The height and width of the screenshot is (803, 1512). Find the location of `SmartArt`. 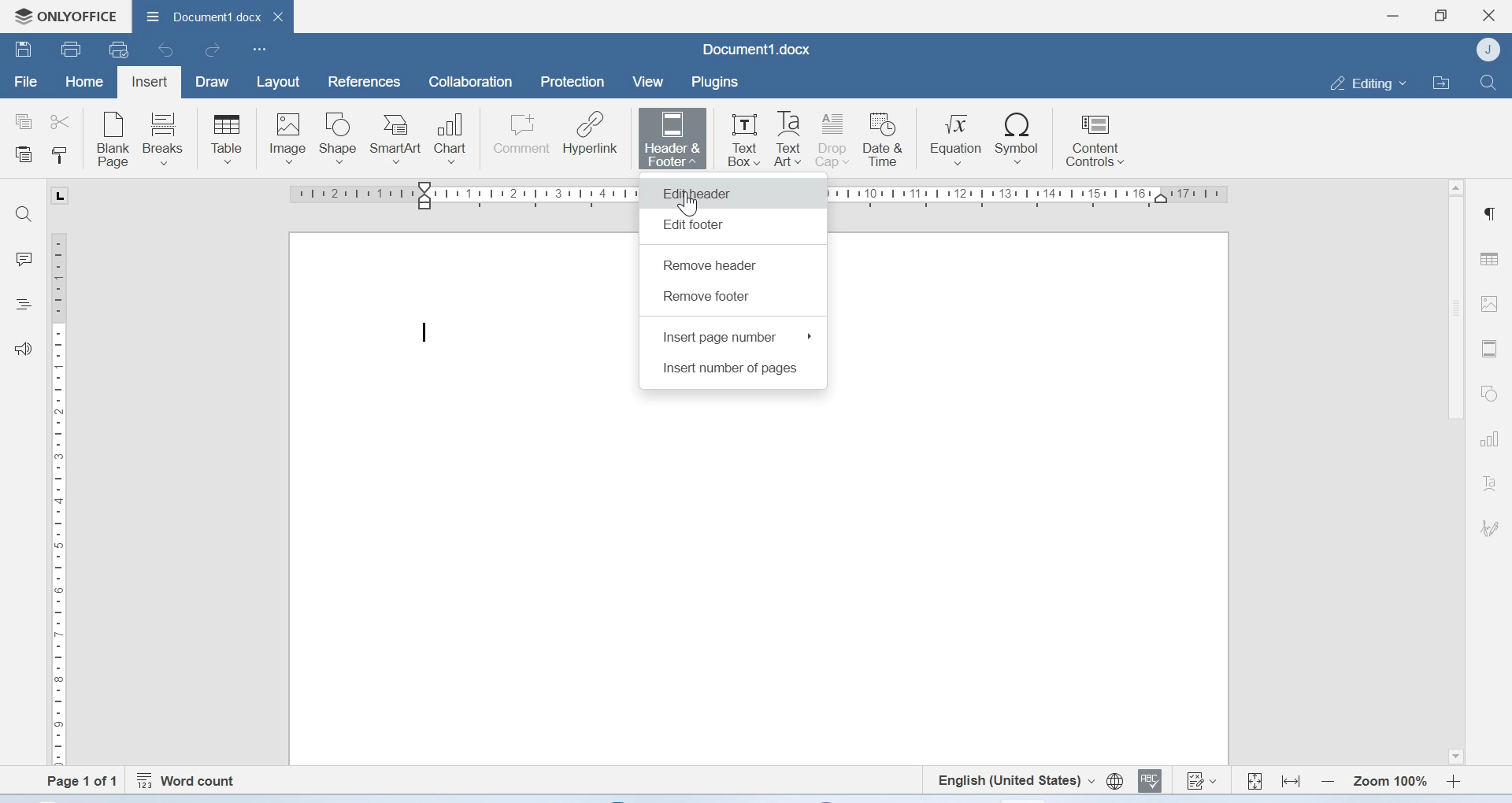

SmartArt is located at coordinates (399, 135).